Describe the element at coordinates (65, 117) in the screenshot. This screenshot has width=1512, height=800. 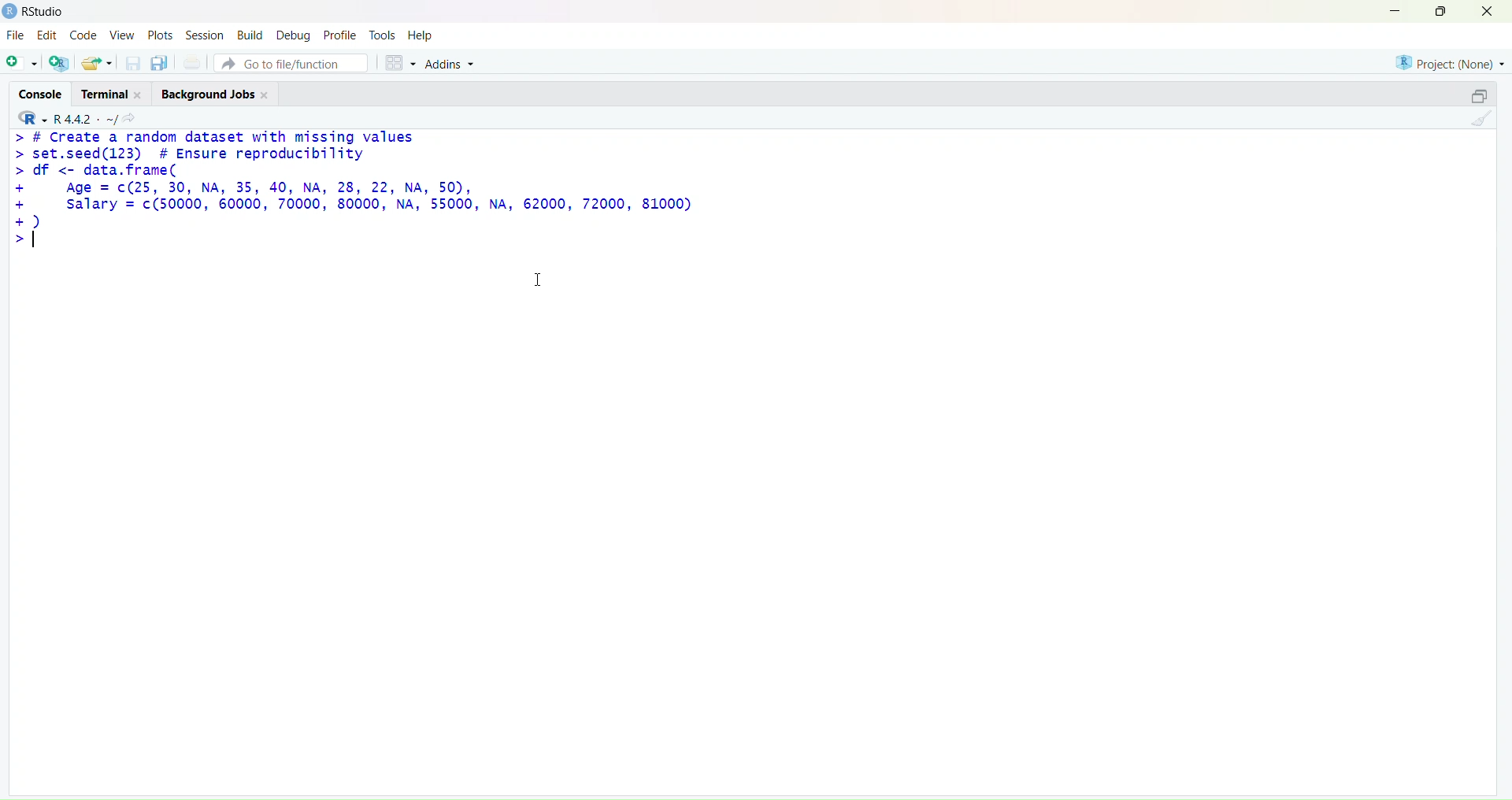
I see `R 4.4.2` at that location.